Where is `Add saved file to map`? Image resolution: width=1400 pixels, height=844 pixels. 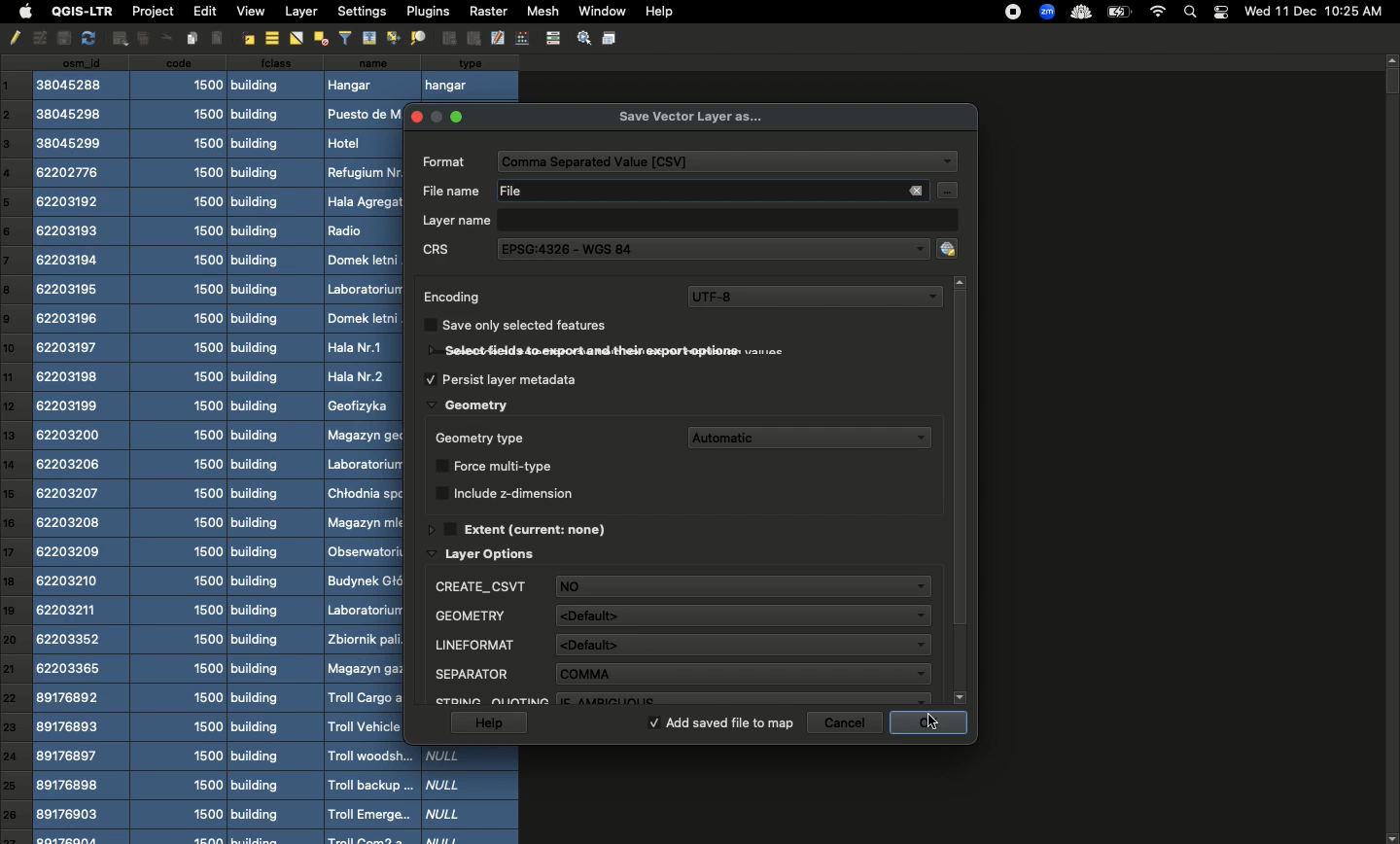
Add saved file to map is located at coordinates (722, 724).